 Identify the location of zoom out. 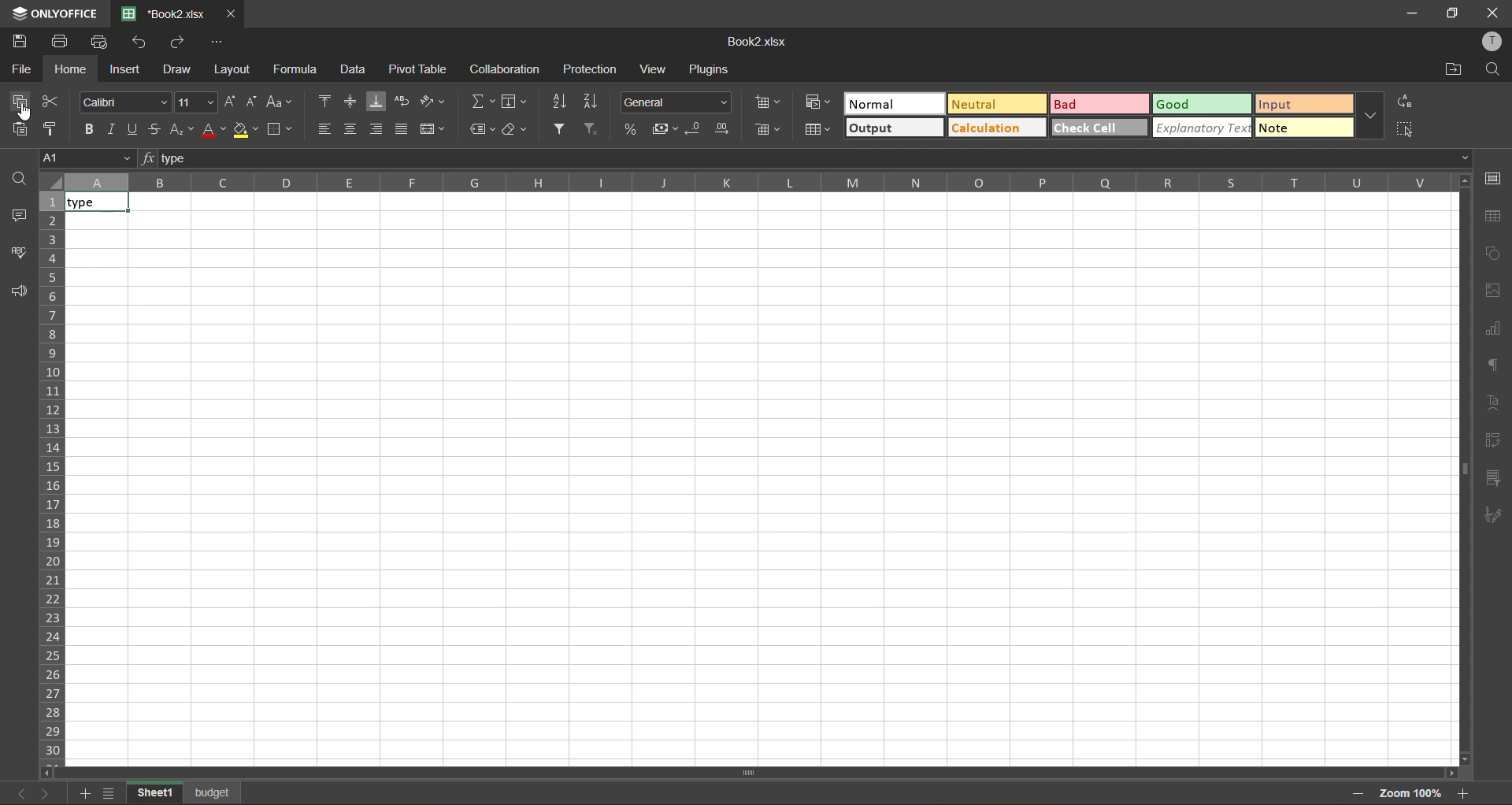
(1358, 795).